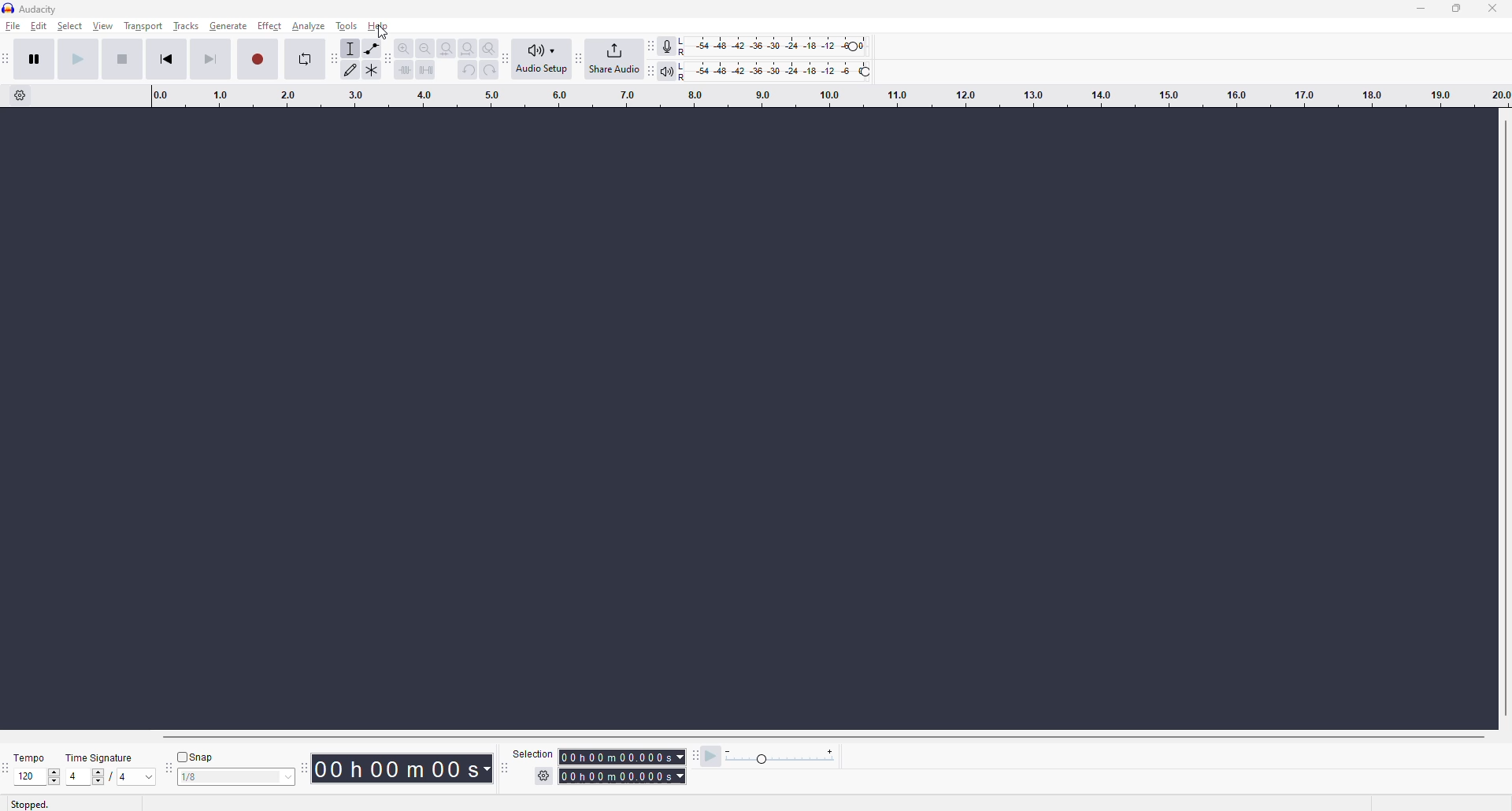 Image resolution: width=1512 pixels, height=811 pixels. What do you see at coordinates (668, 69) in the screenshot?
I see `playback meter` at bounding box center [668, 69].